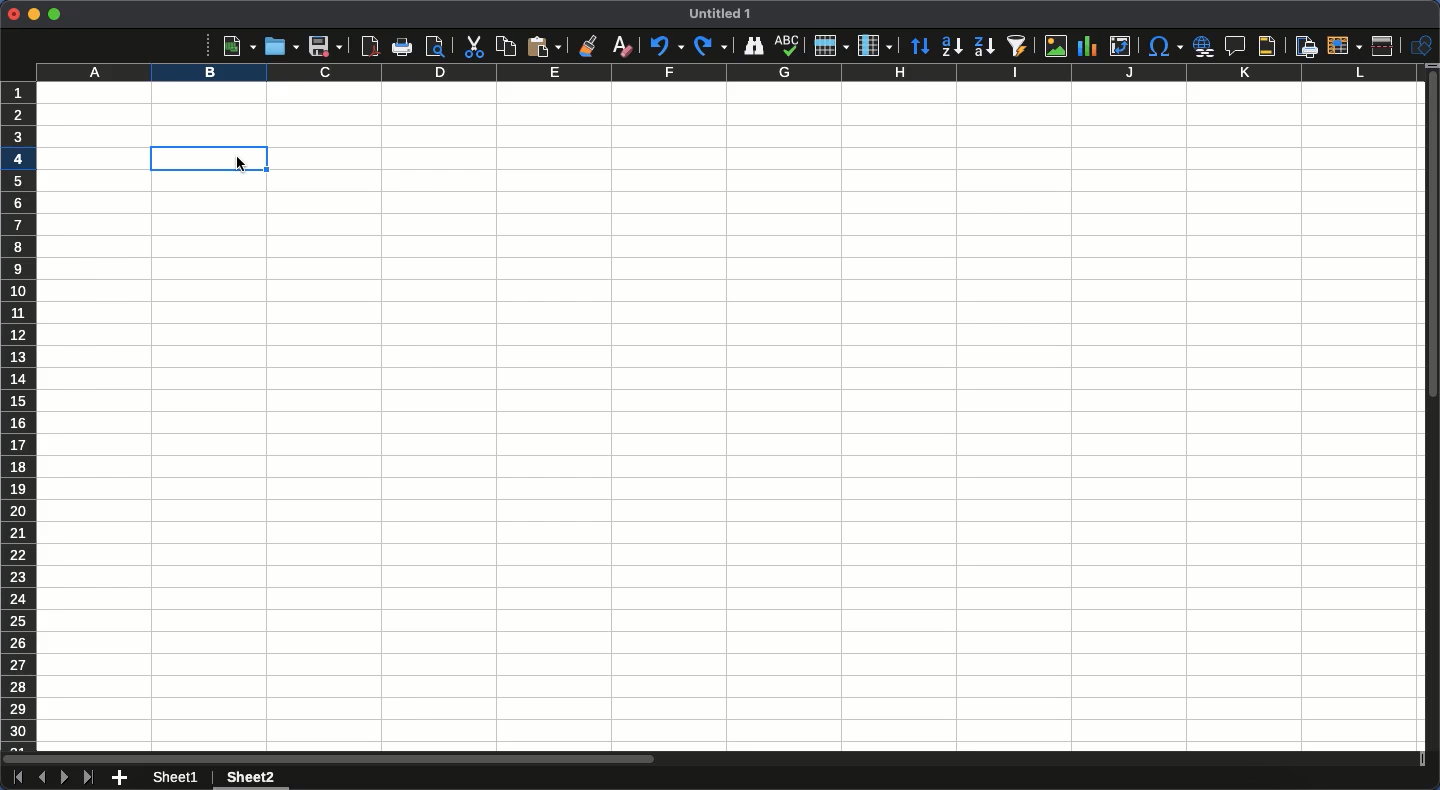 The height and width of the screenshot is (790, 1440). I want to click on Open, so click(279, 45).